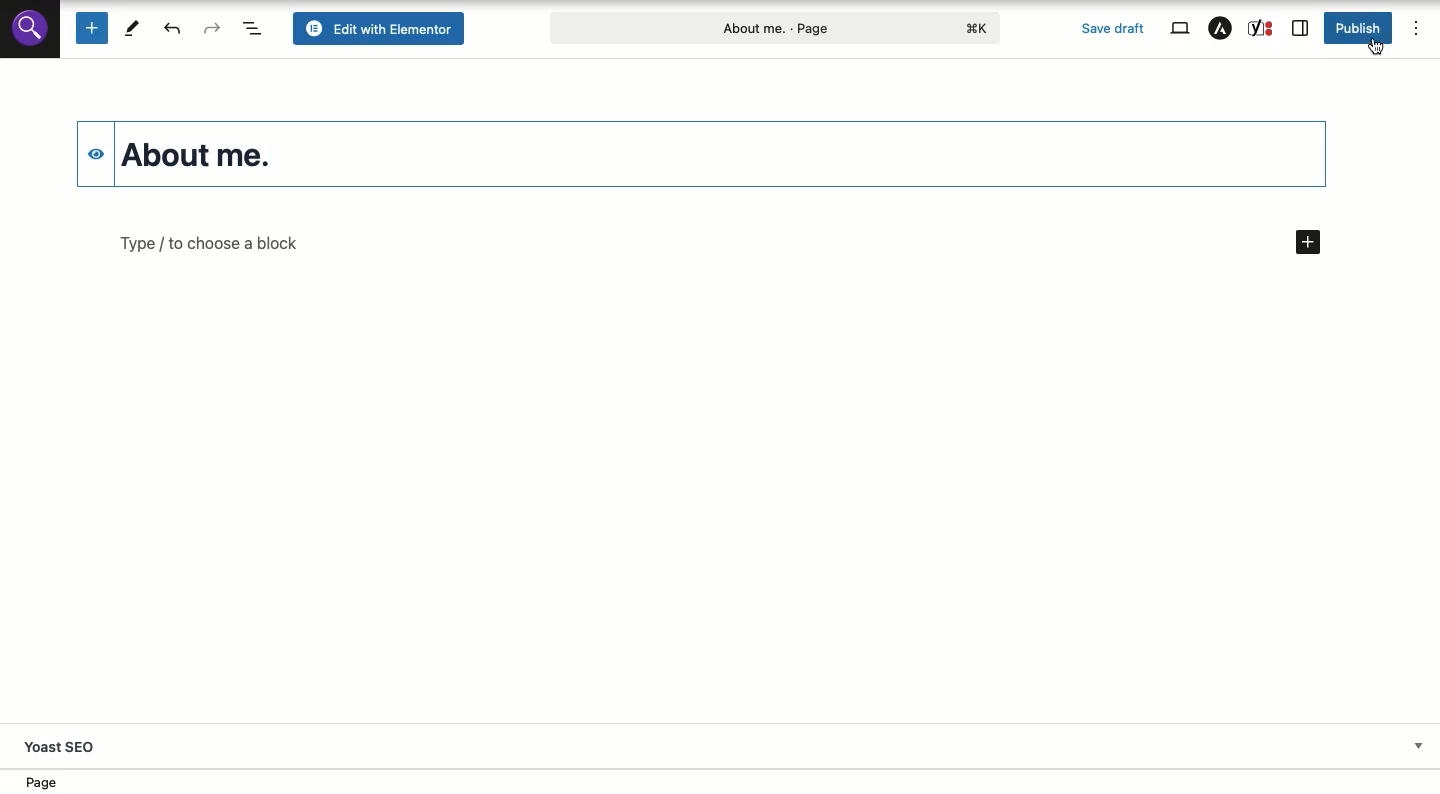  What do you see at coordinates (1223, 29) in the screenshot?
I see `Astra` at bounding box center [1223, 29].